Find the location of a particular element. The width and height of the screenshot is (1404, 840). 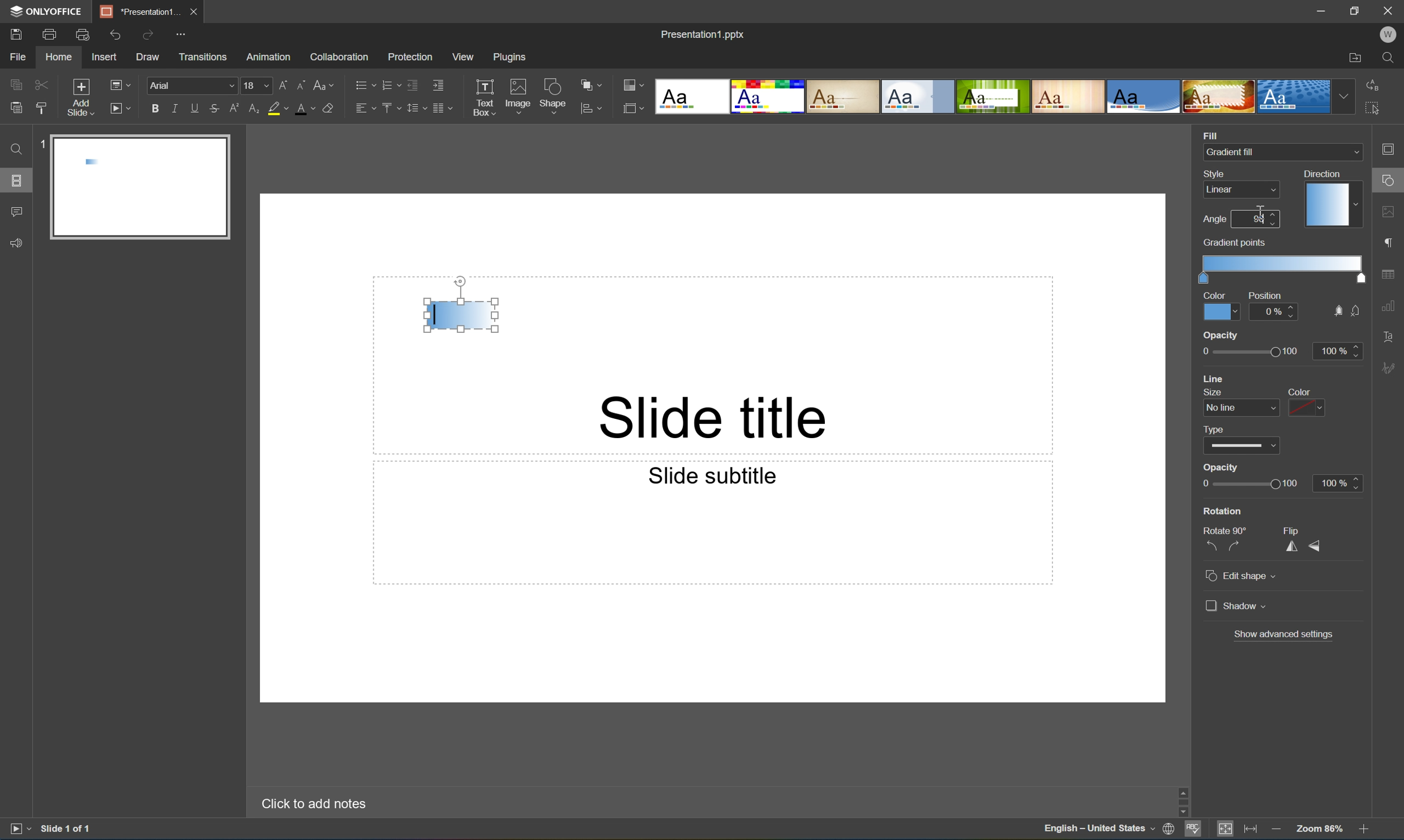

Restore Down is located at coordinates (1356, 9).